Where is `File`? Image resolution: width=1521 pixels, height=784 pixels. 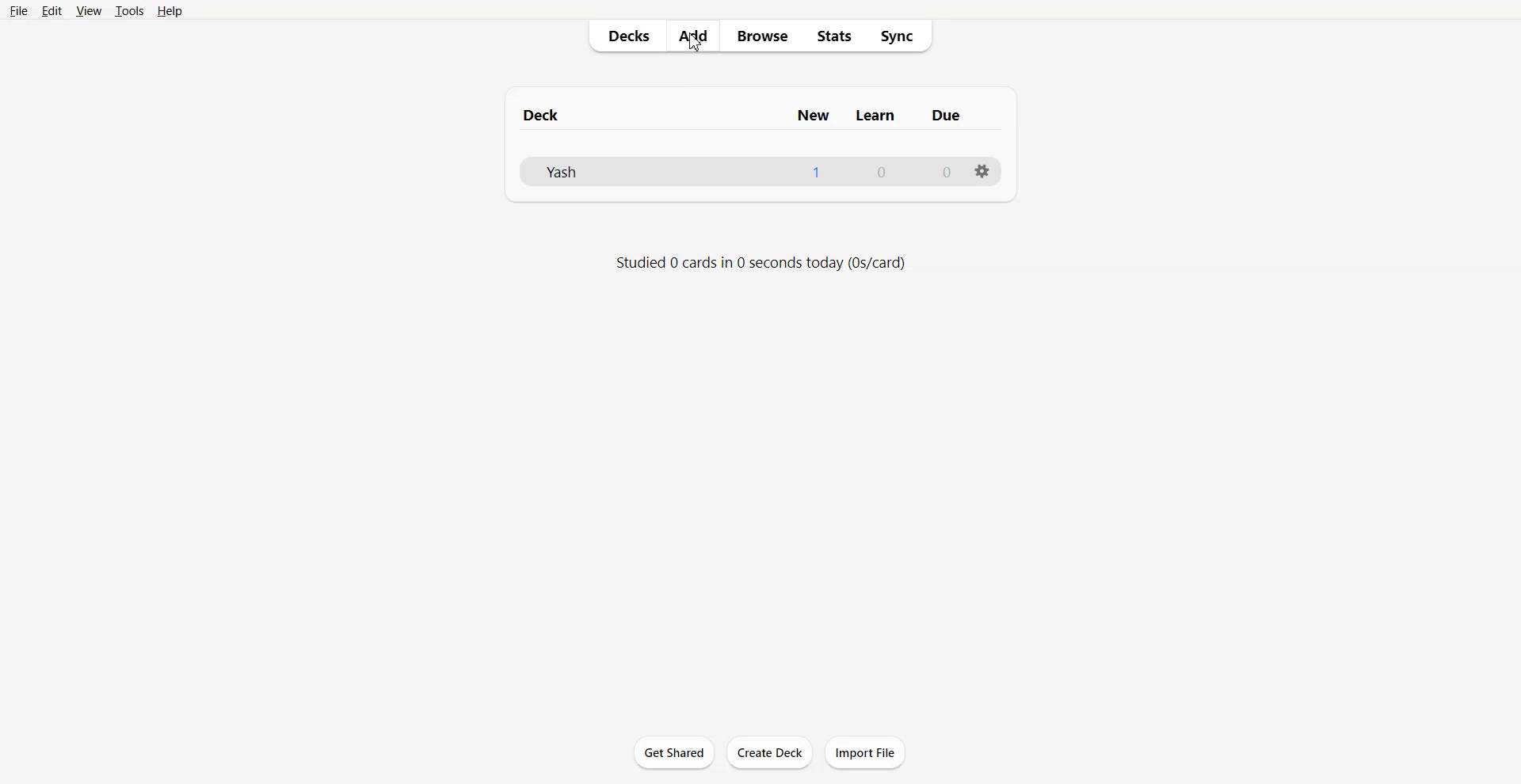
File is located at coordinates (19, 12).